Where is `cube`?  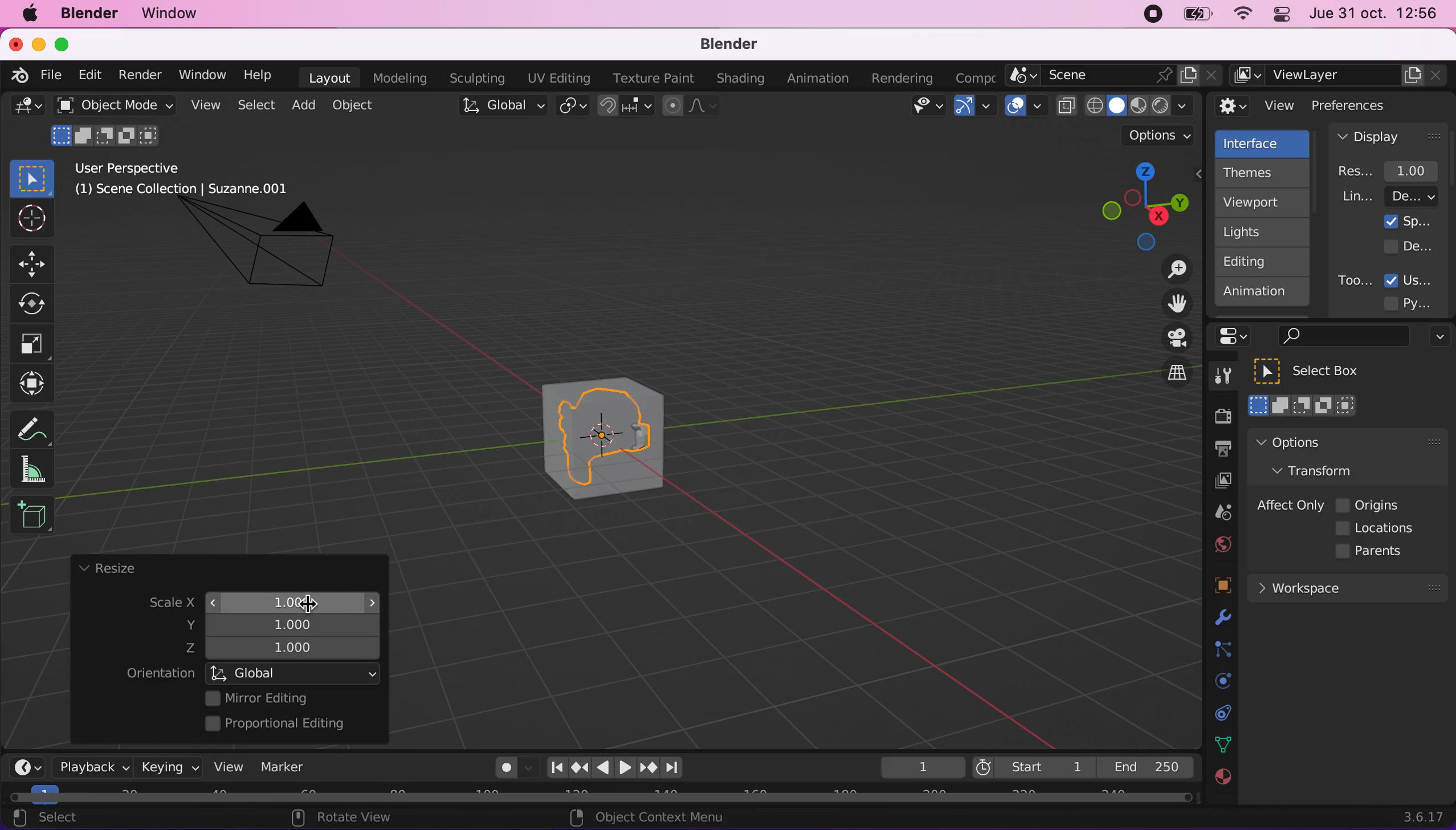
cube is located at coordinates (629, 440).